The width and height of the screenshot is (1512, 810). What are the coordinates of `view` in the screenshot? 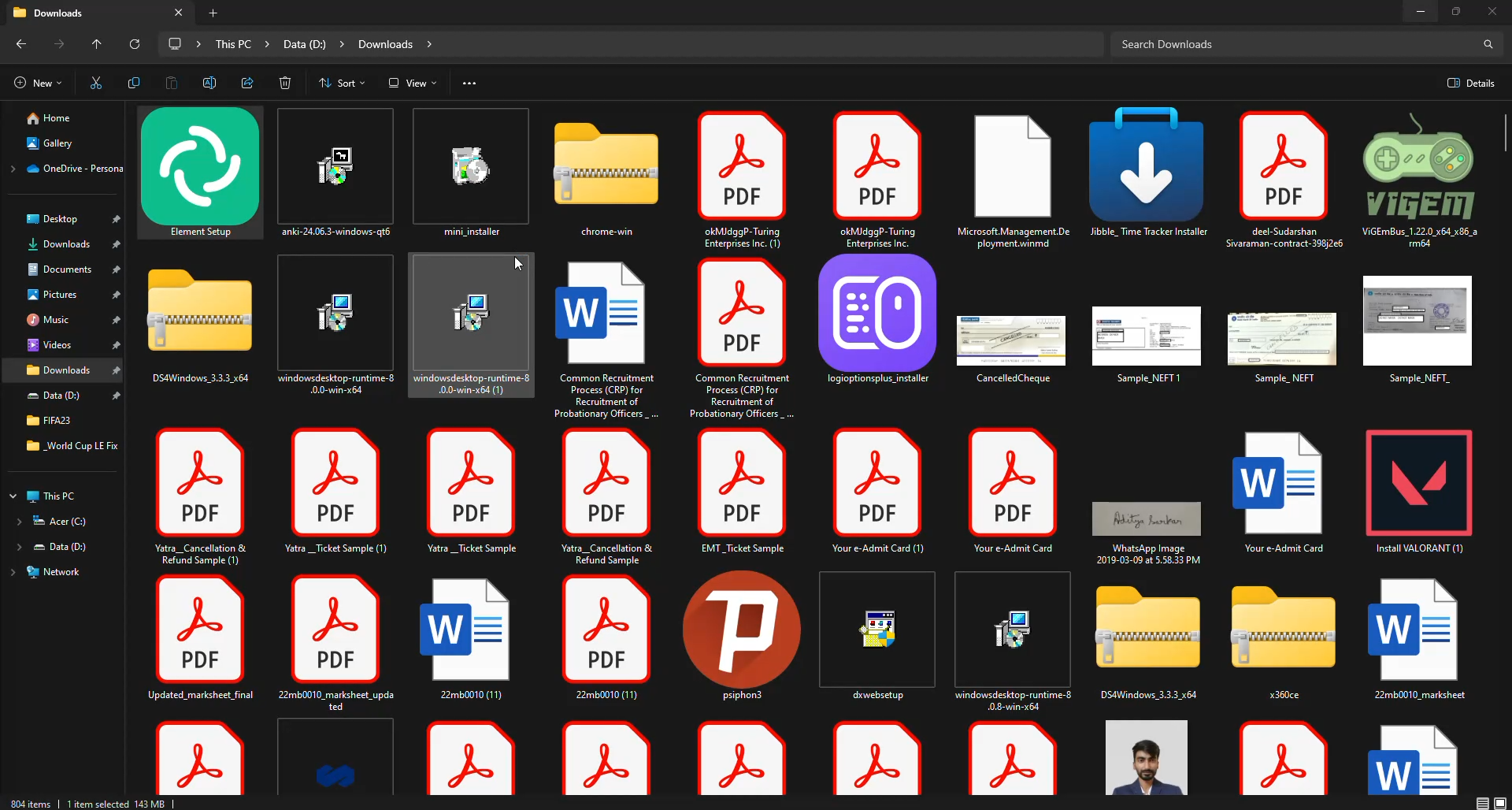 It's located at (409, 84).